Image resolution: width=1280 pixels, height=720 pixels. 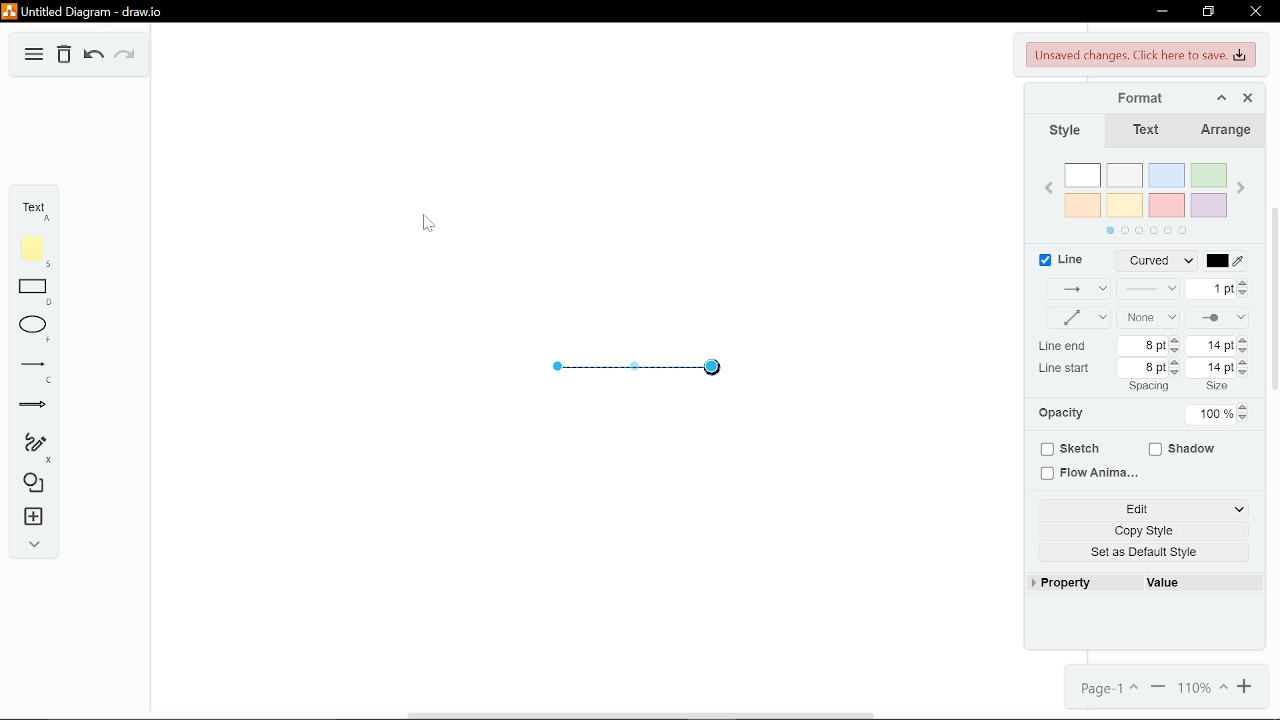 What do you see at coordinates (1142, 532) in the screenshot?
I see `Copy style` at bounding box center [1142, 532].